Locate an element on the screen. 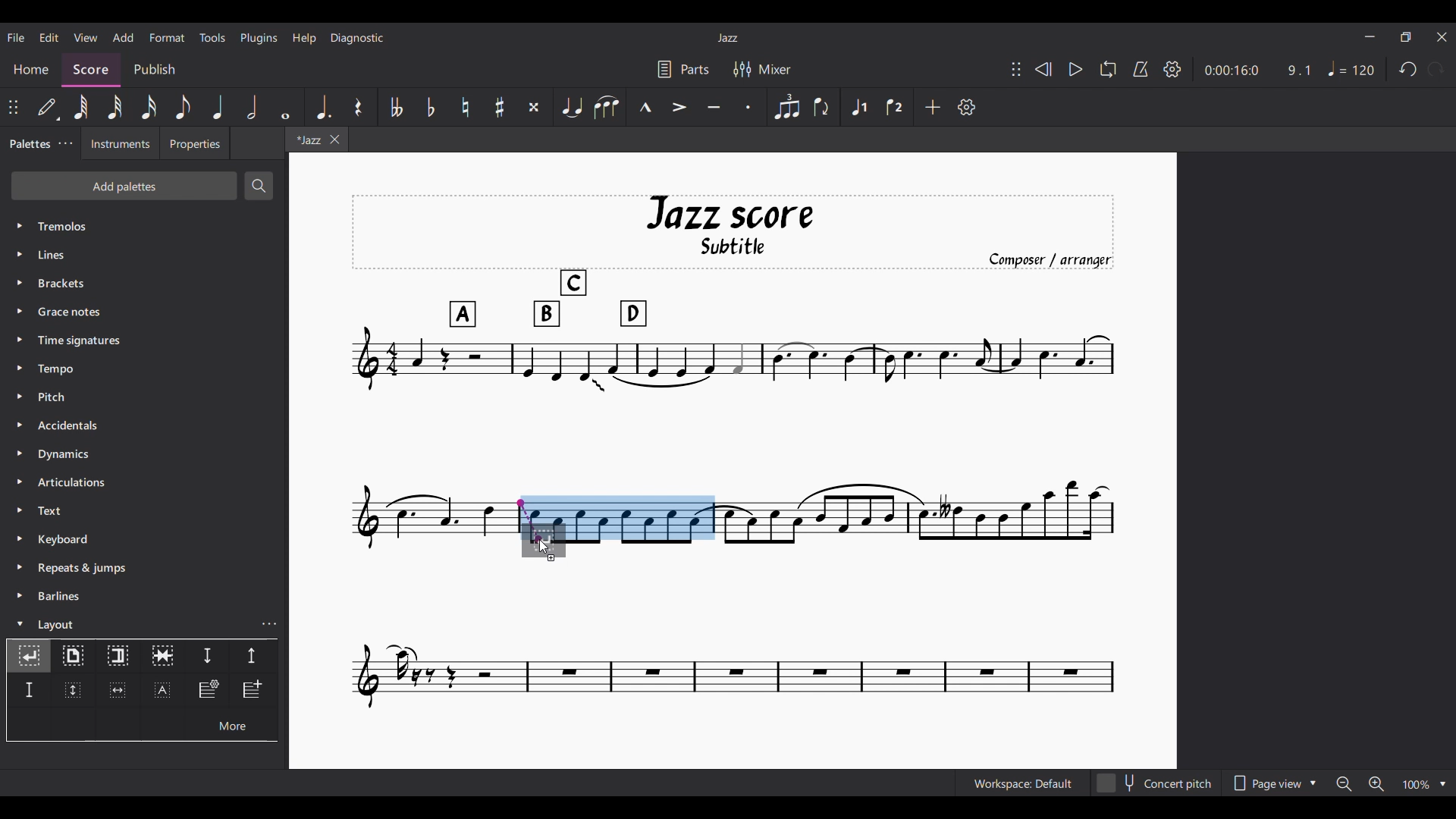 The image size is (1456, 819). Publish section is located at coordinates (155, 71).